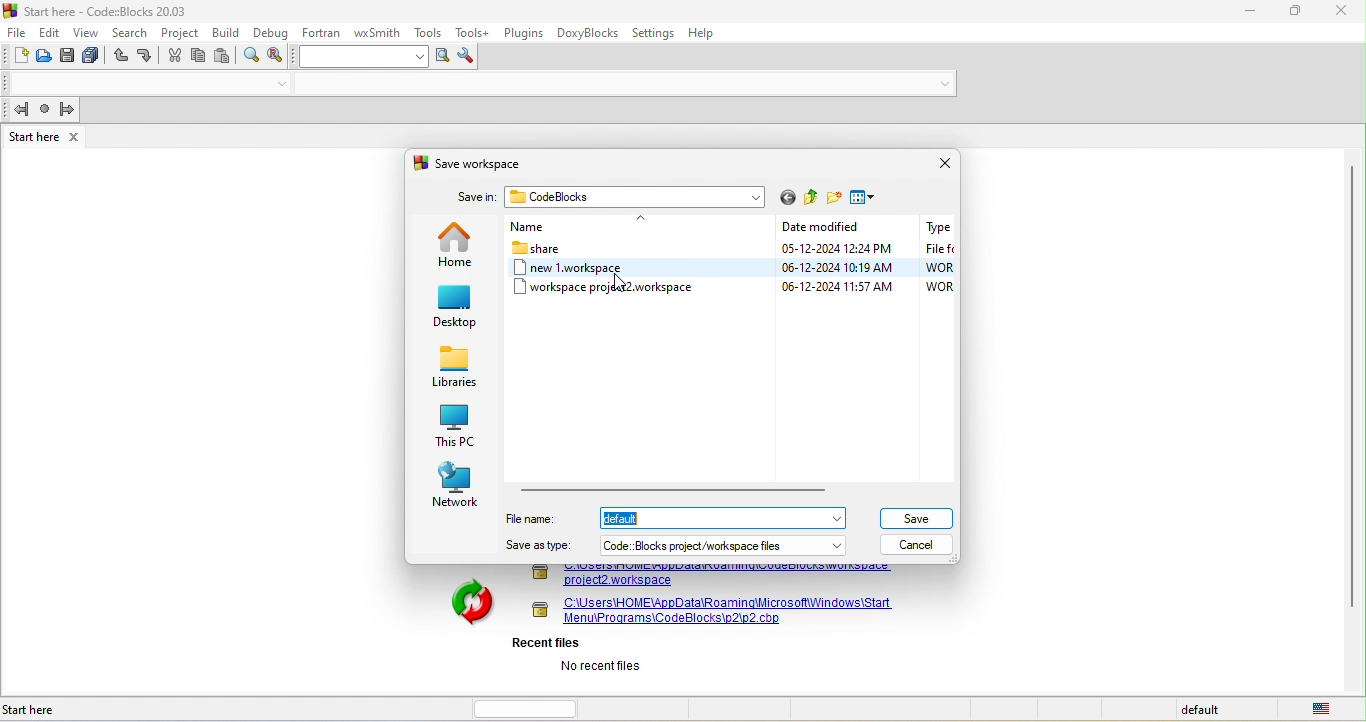  What do you see at coordinates (321, 31) in the screenshot?
I see `fortran` at bounding box center [321, 31].